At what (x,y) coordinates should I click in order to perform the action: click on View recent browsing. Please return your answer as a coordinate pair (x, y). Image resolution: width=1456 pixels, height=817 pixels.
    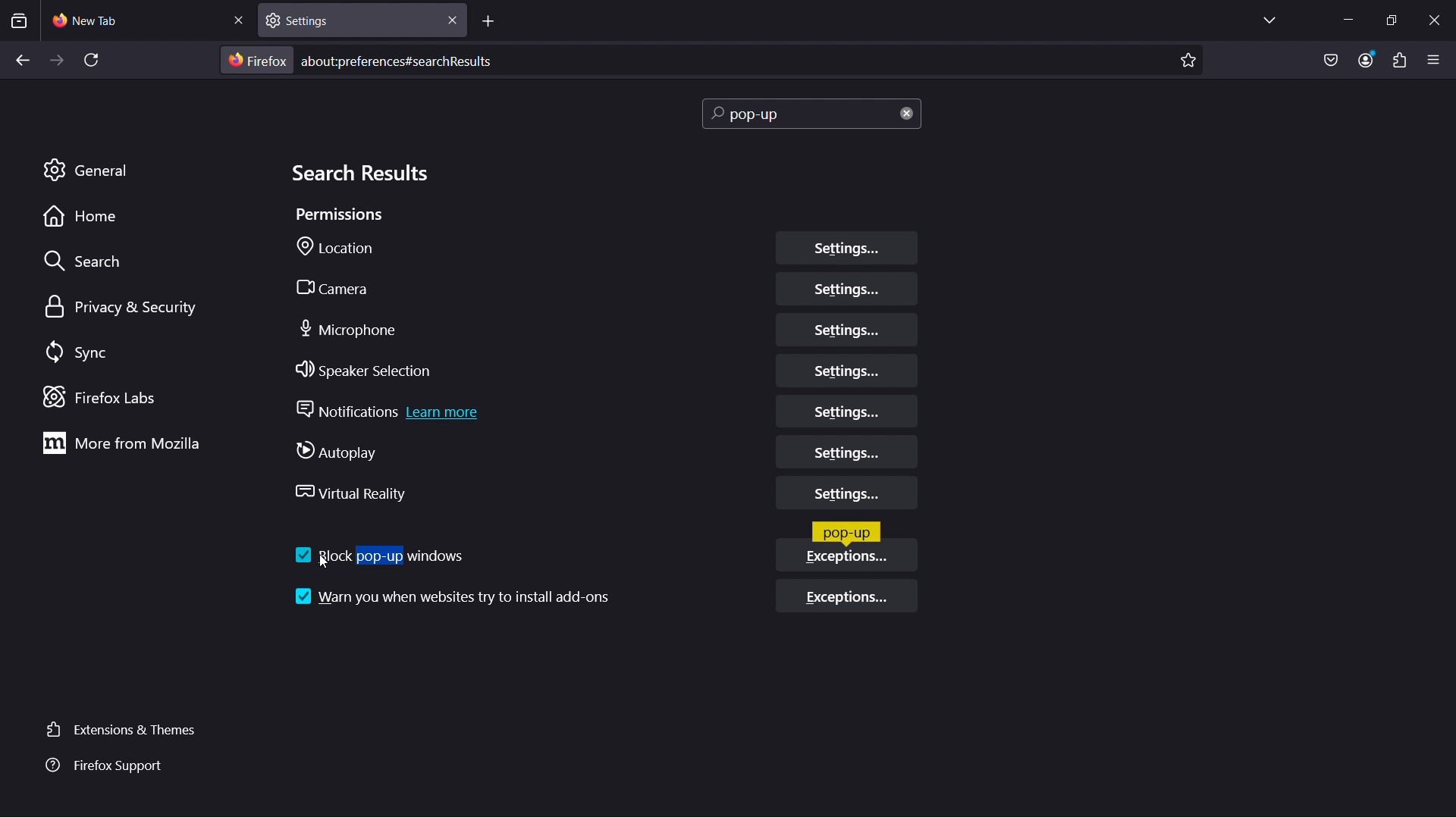
    Looking at the image, I should click on (22, 21).